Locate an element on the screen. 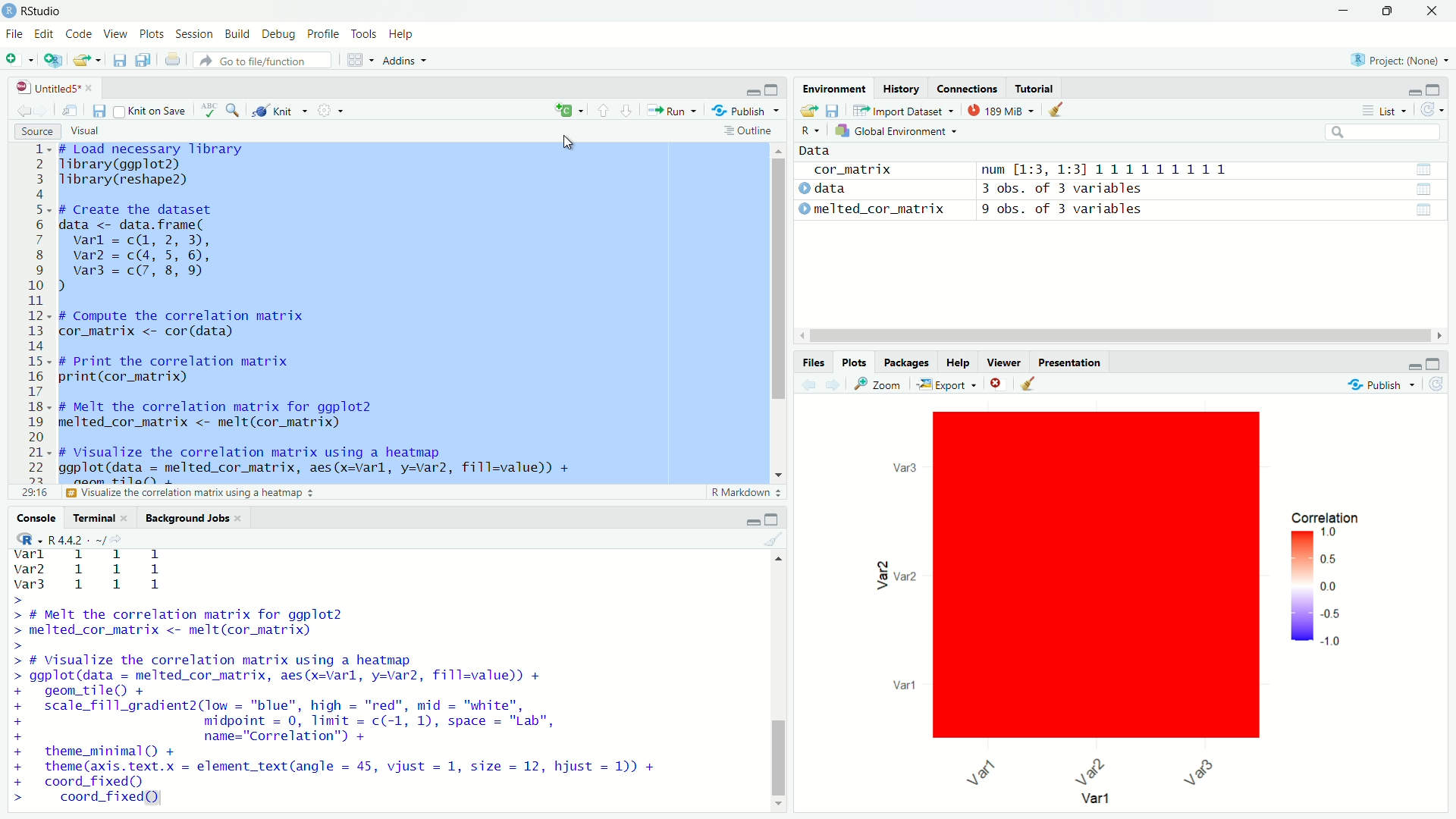  run is located at coordinates (670, 111).